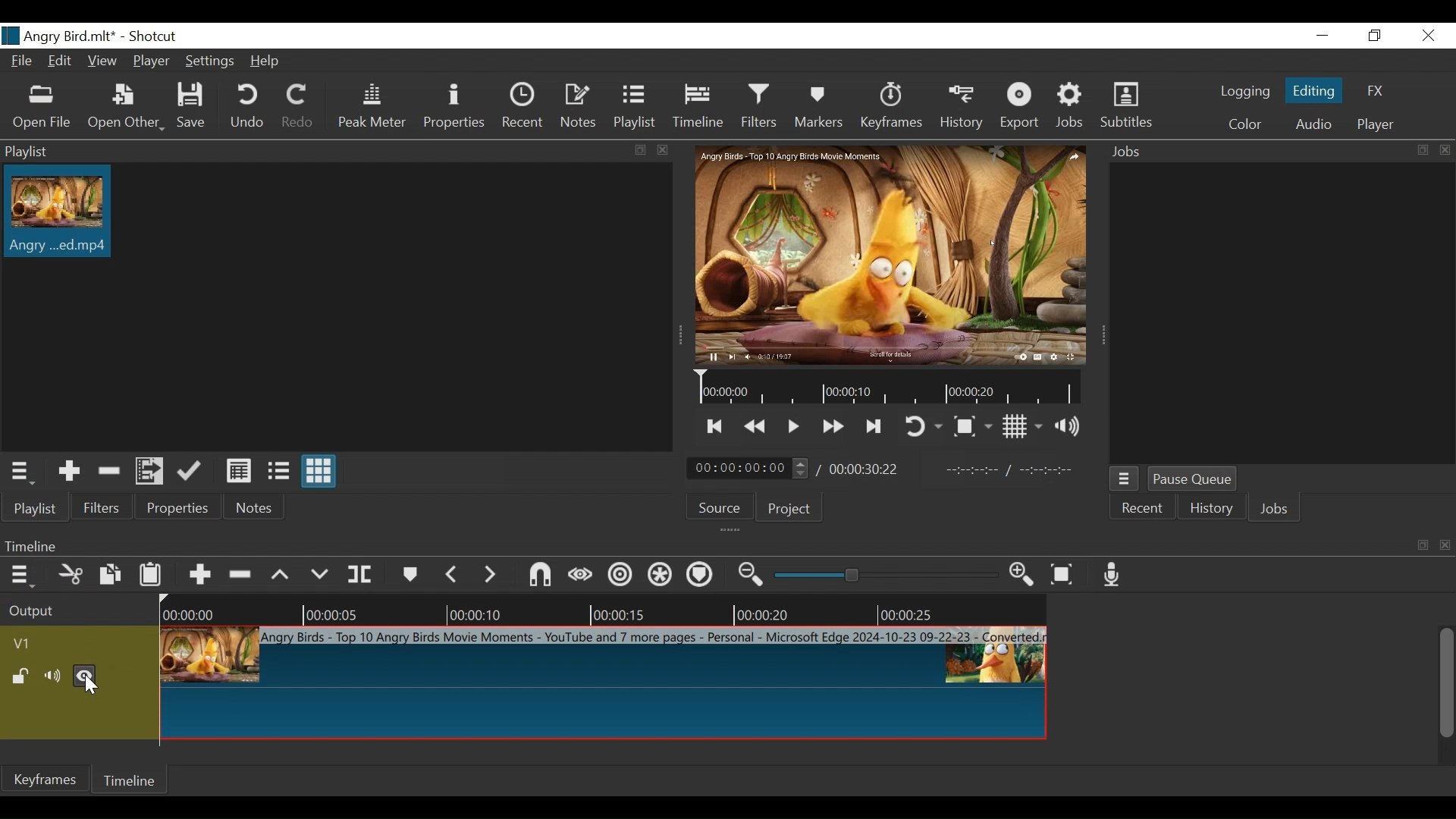 Image resolution: width=1456 pixels, height=819 pixels. Describe the element at coordinates (579, 107) in the screenshot. I see `Notes` at that location.